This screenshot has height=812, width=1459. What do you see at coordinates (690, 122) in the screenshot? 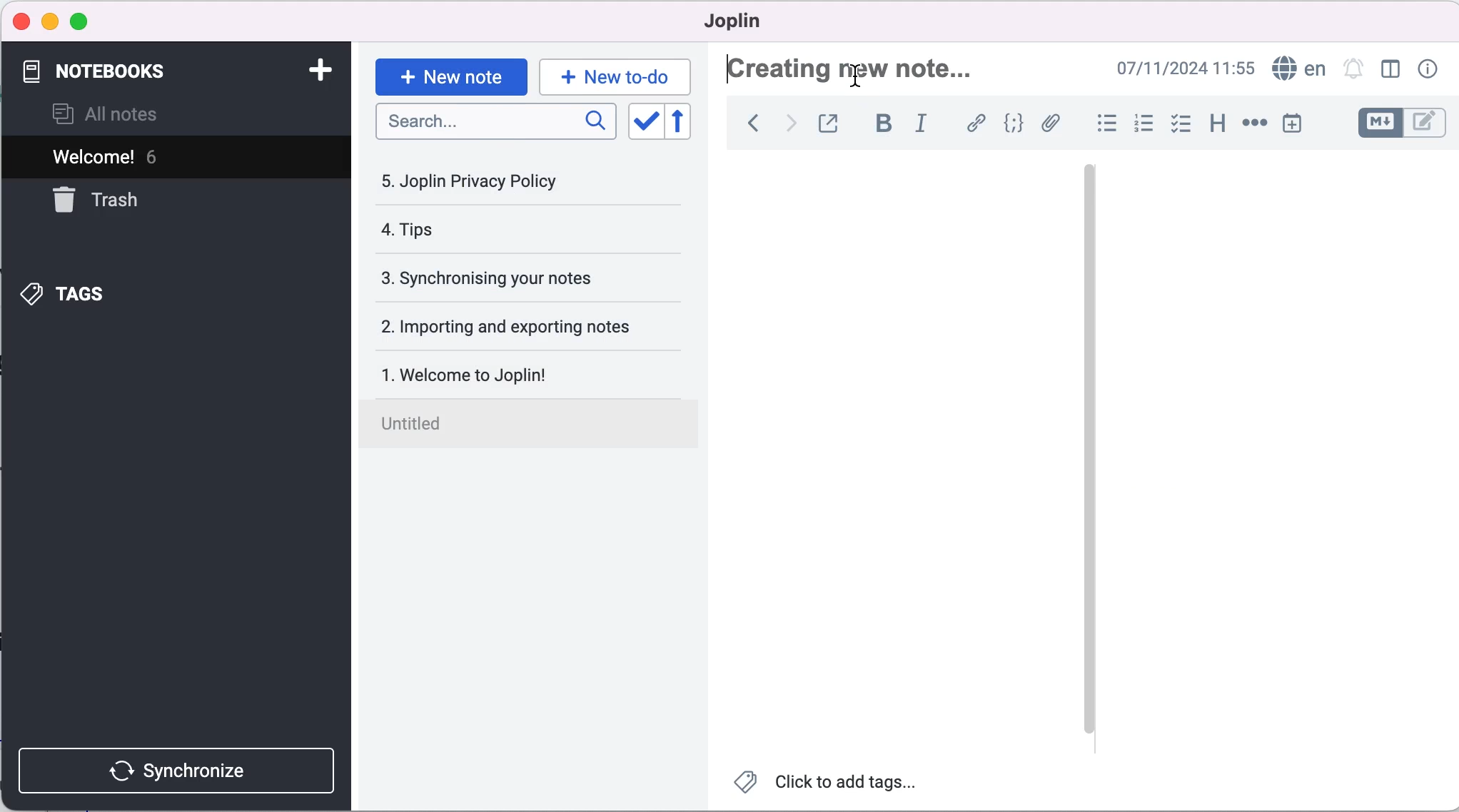
I see `reverse sort order` at bounding box center [690, 122].